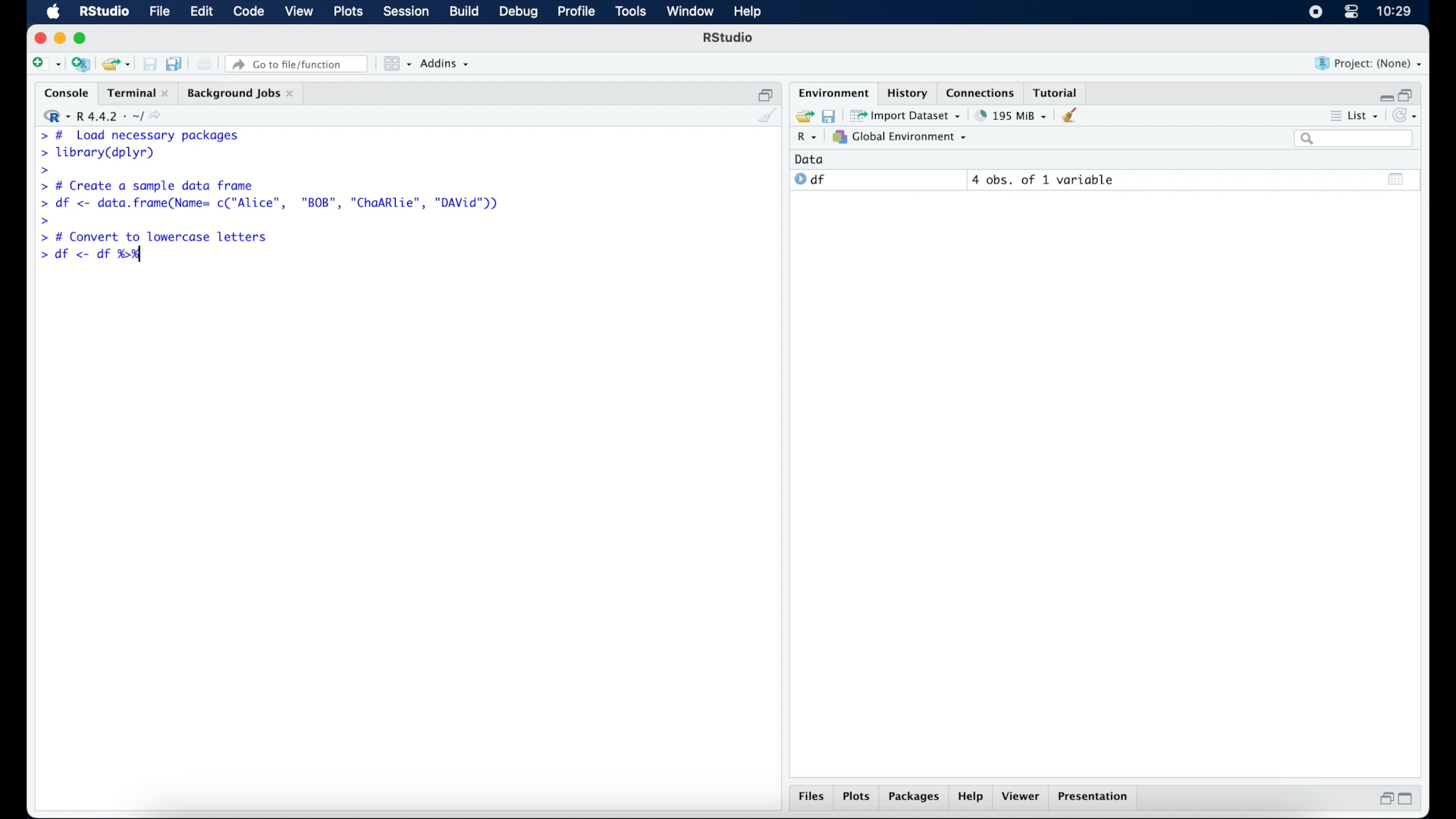  I want to click on console, so click(63, 93).